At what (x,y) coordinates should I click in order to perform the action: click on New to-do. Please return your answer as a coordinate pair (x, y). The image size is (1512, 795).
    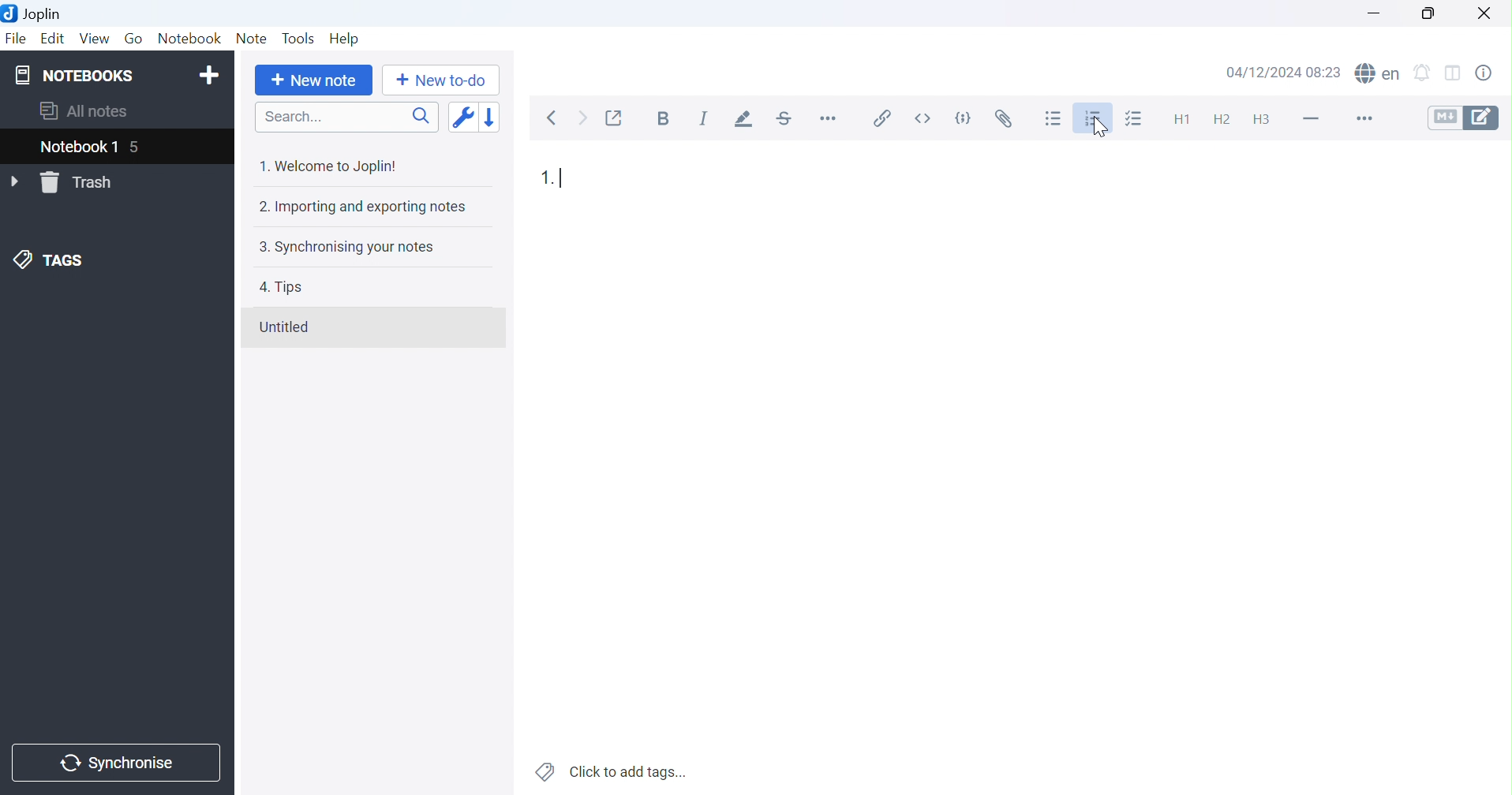
    Looking at the image, I should click on (439, 80).